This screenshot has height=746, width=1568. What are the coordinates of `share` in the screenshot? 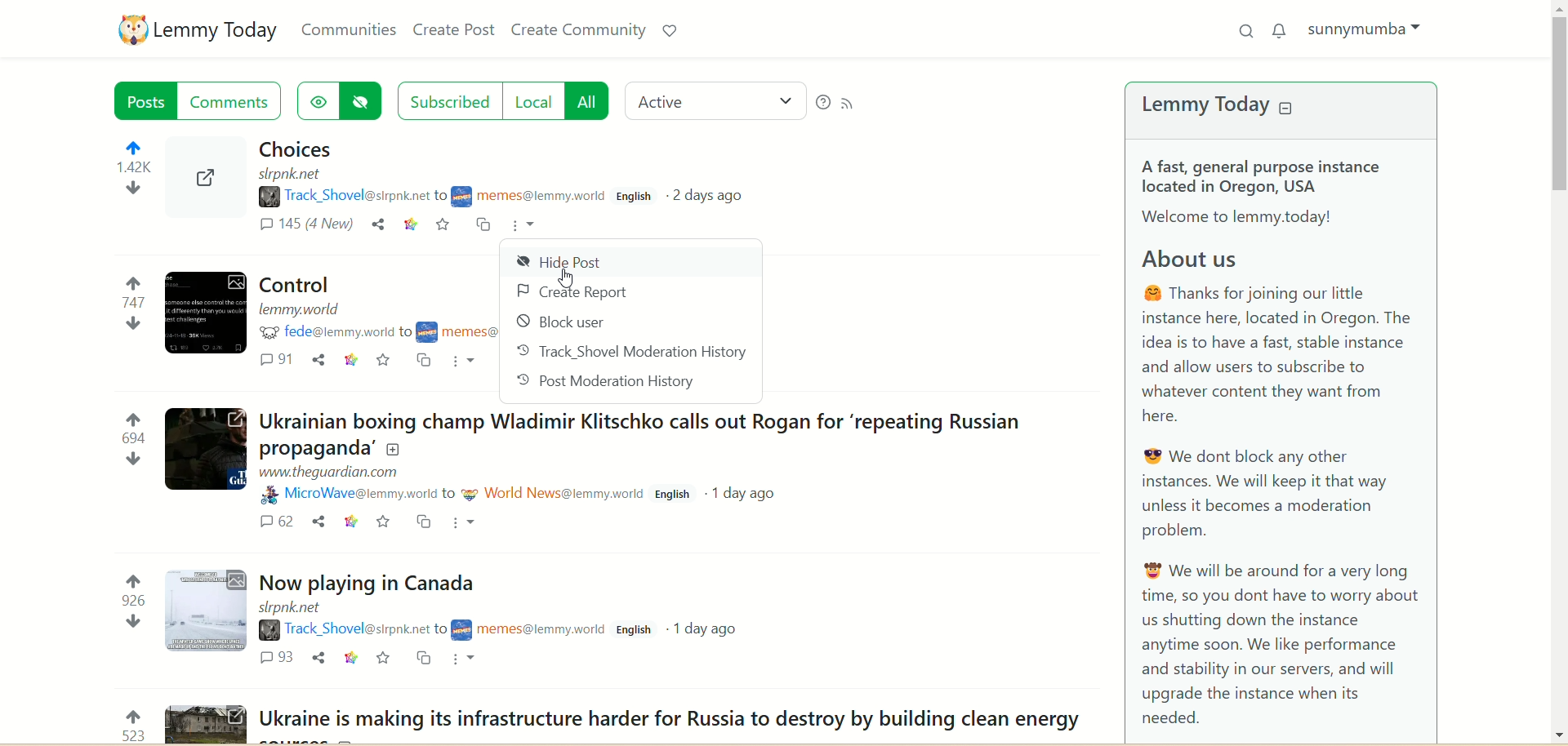 It's located at (317, 521).